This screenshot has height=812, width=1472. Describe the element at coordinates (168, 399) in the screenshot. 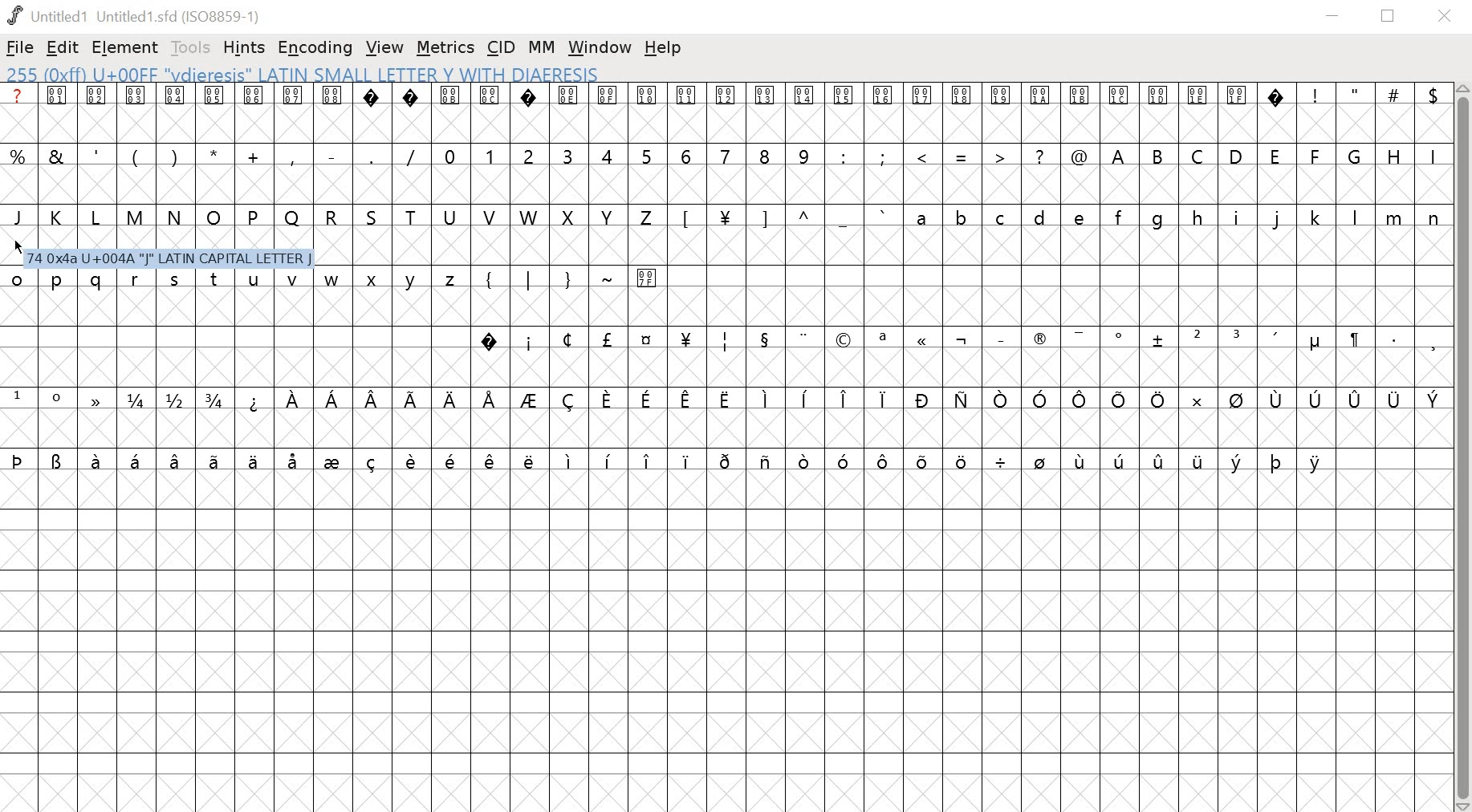

I see `fractions` at that location.